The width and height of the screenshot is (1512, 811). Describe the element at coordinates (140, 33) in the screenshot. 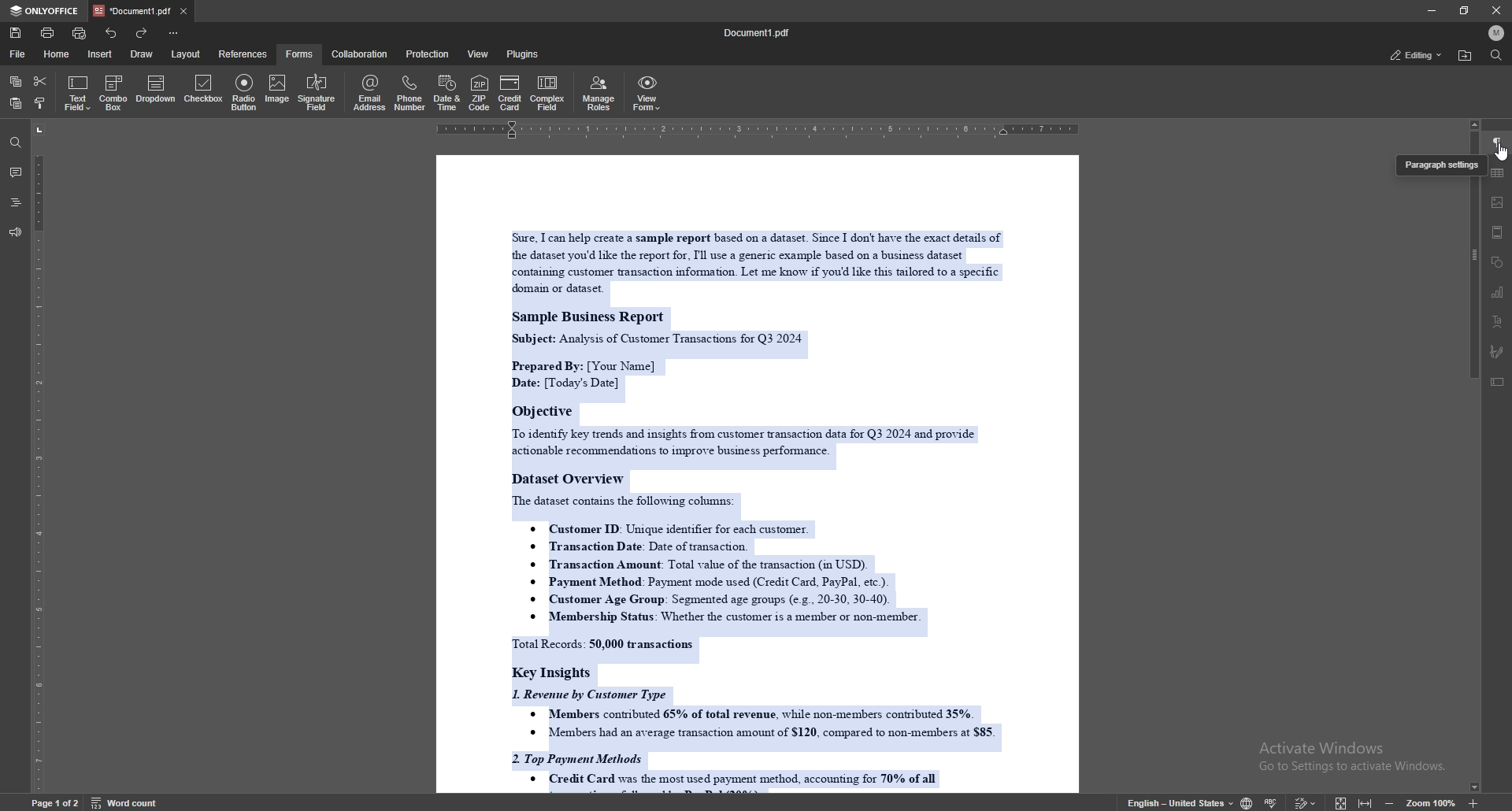

I see `redo` at that location.